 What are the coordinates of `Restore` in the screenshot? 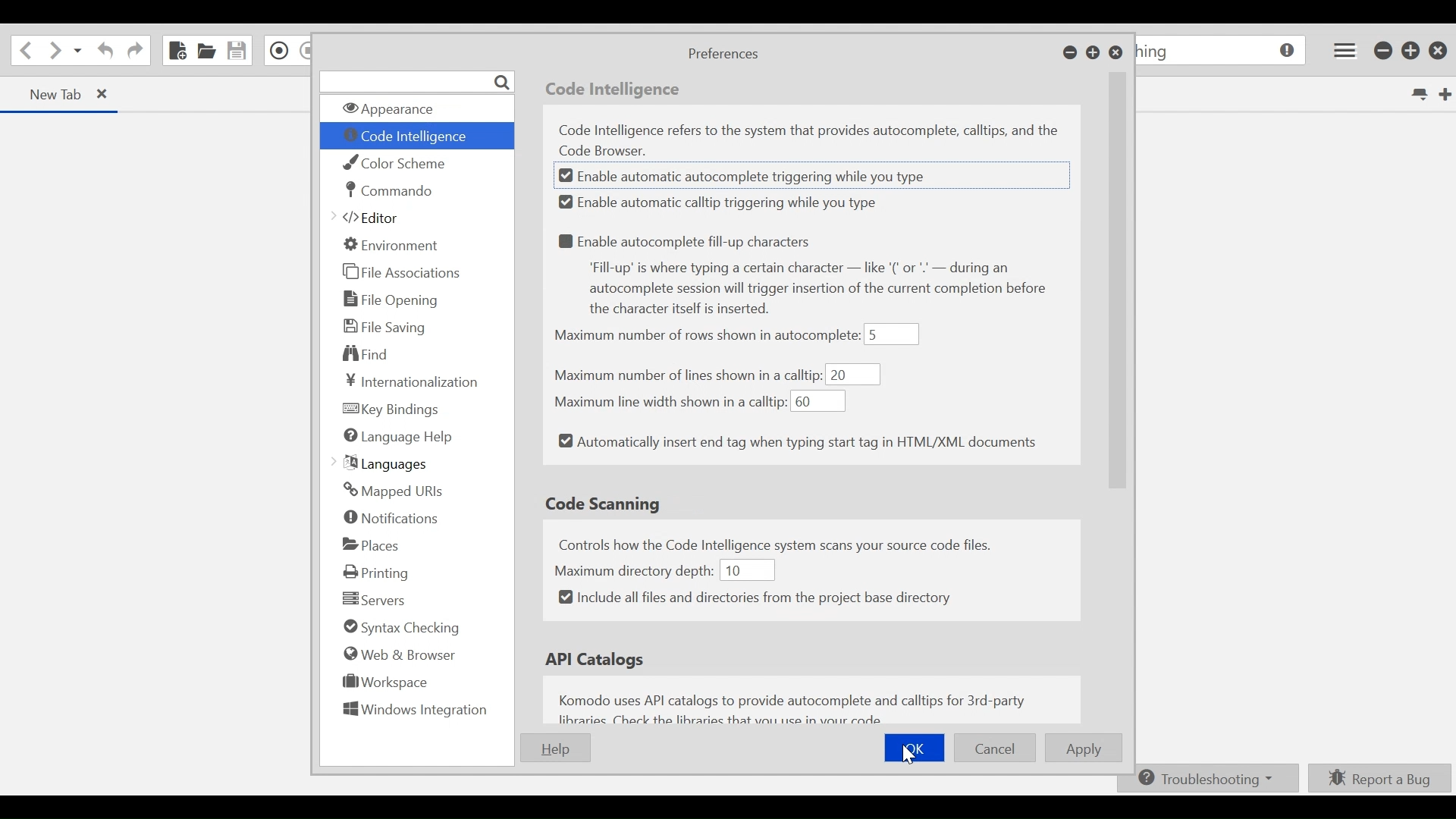 It's located at (1094, 54).